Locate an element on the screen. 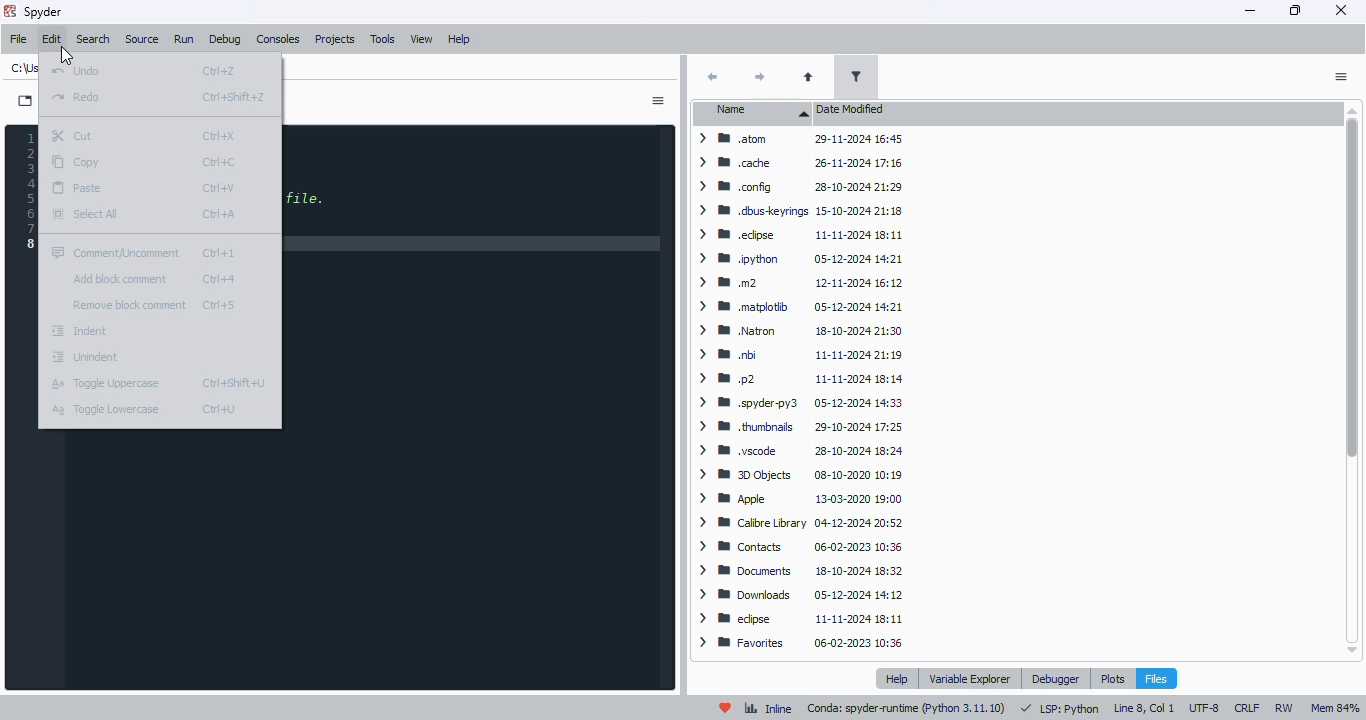 The height and width of the screenshot is (720, 1366). date modified is located at coordinates (851, 109).